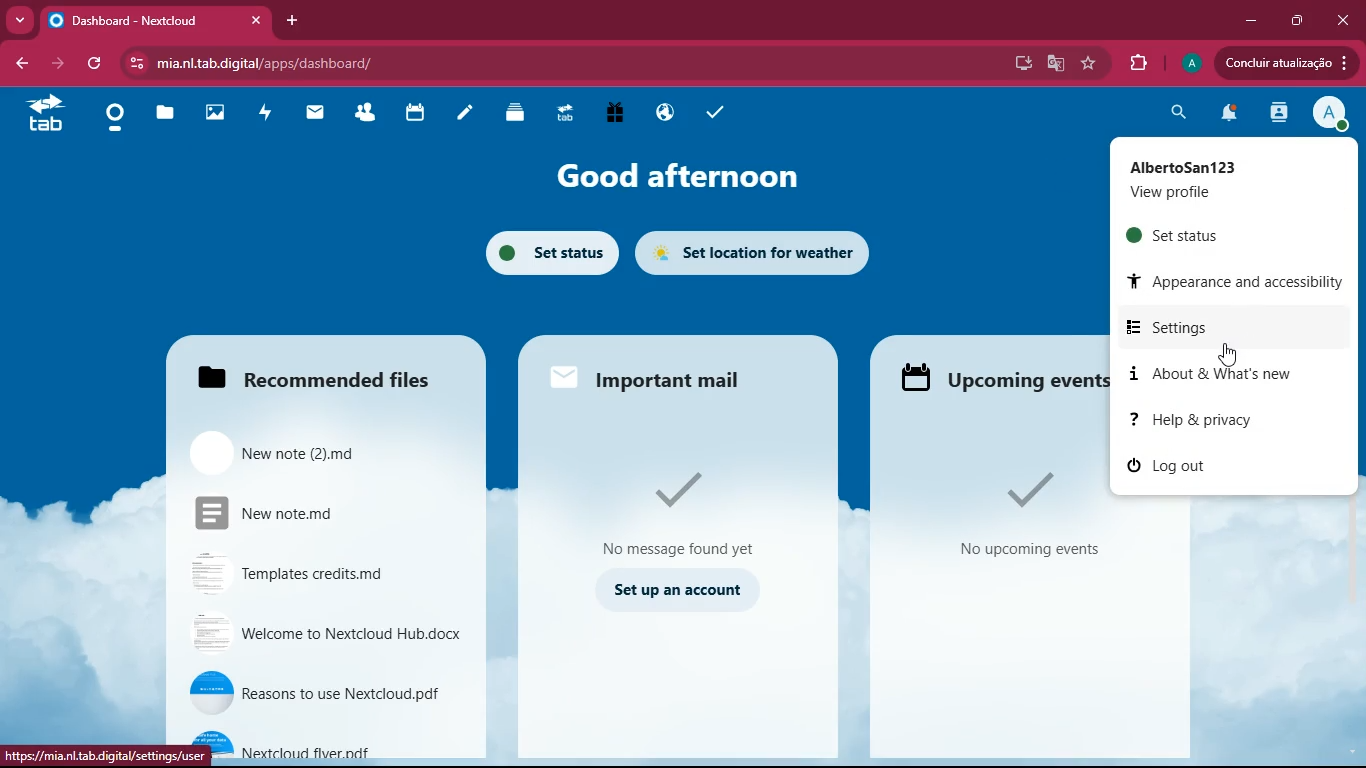  Describe the element at coordinates (1054, 62) in the screenshot. I see `google translate` at that location.